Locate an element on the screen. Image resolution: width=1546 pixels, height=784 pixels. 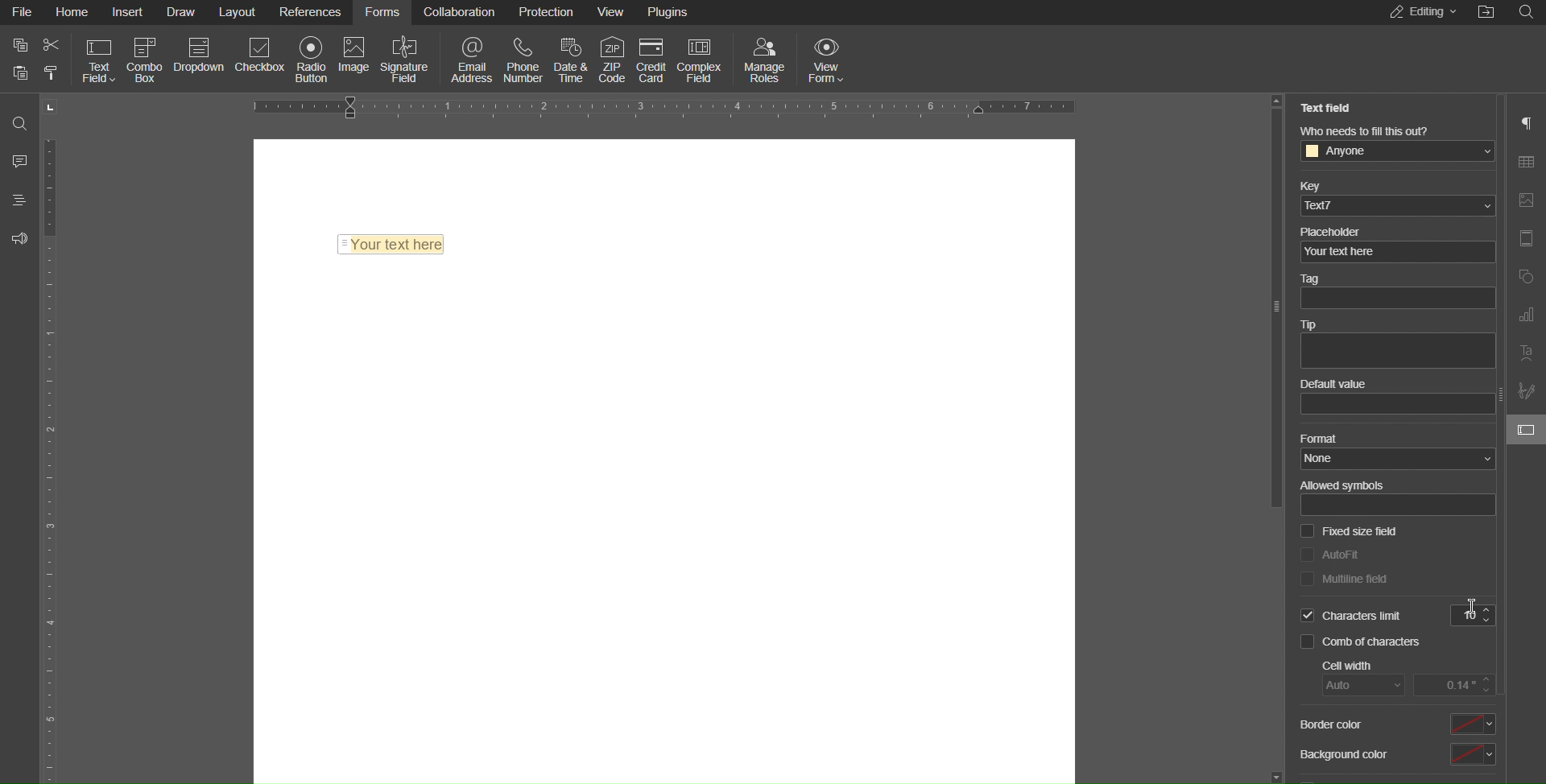
Shape Settings is located at coordinates (1526, 275).